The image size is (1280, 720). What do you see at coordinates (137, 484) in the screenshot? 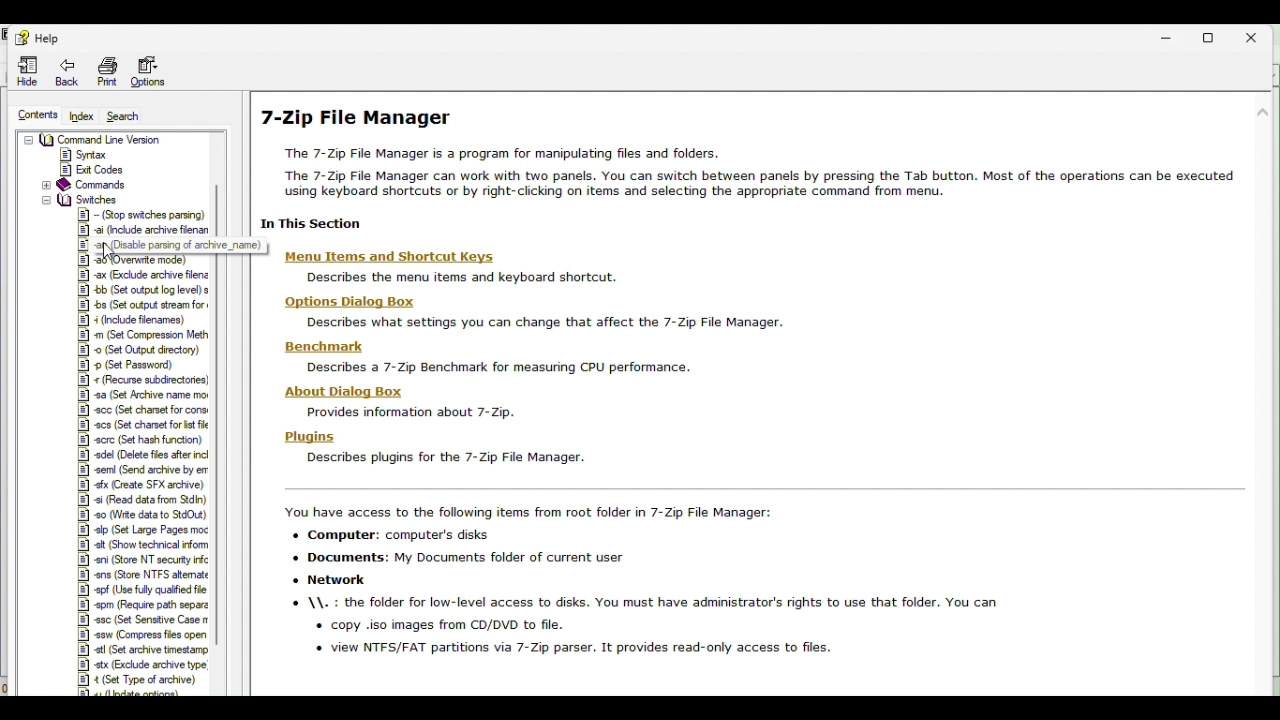
I see `1B) +fx Create SFX archive)` at bounding box center [137, 484].